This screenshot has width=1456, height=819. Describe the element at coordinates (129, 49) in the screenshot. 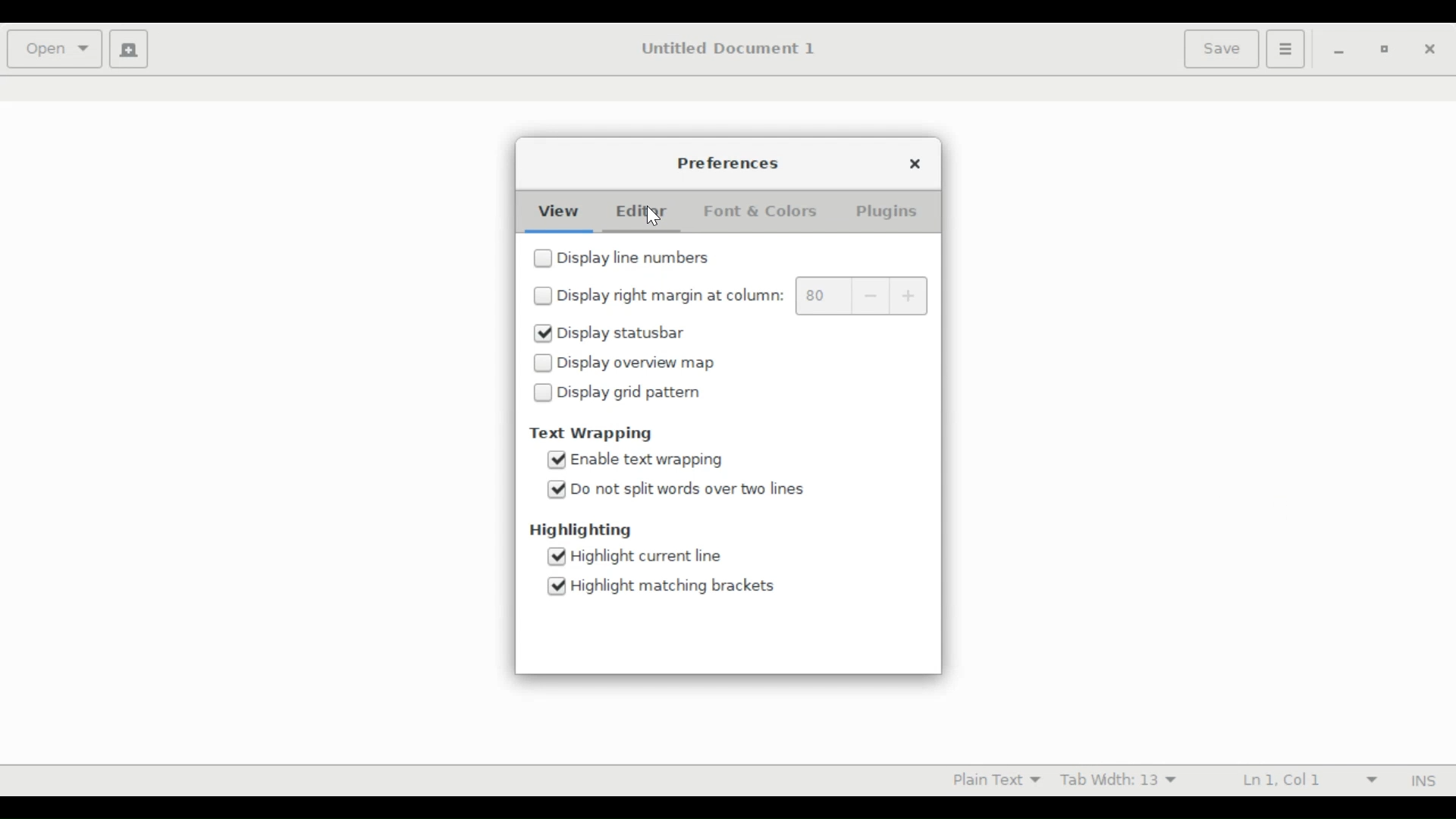

I see `Create new document` at that location.